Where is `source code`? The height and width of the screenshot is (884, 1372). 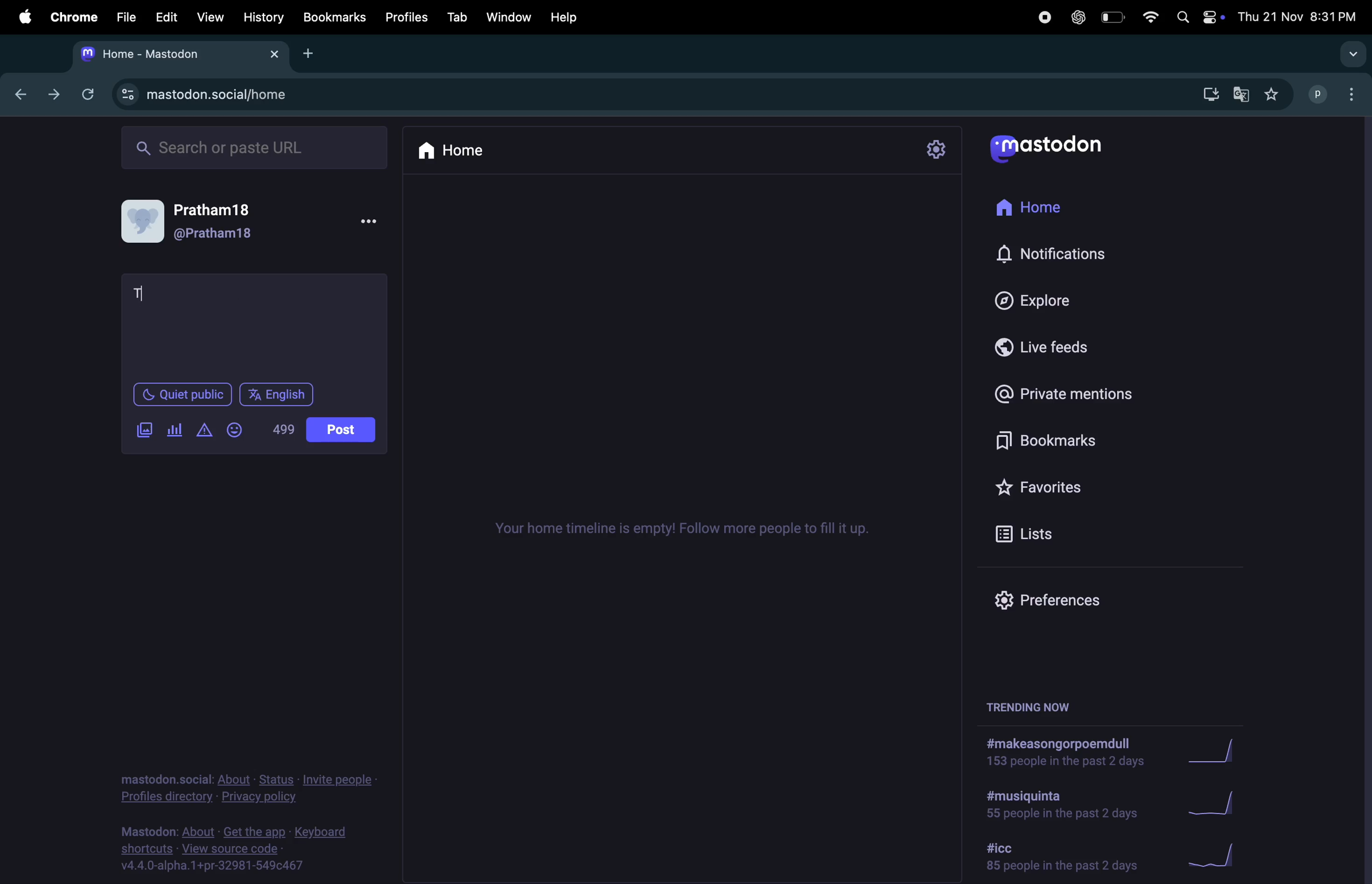
source code is located at coordinates (239, 848).